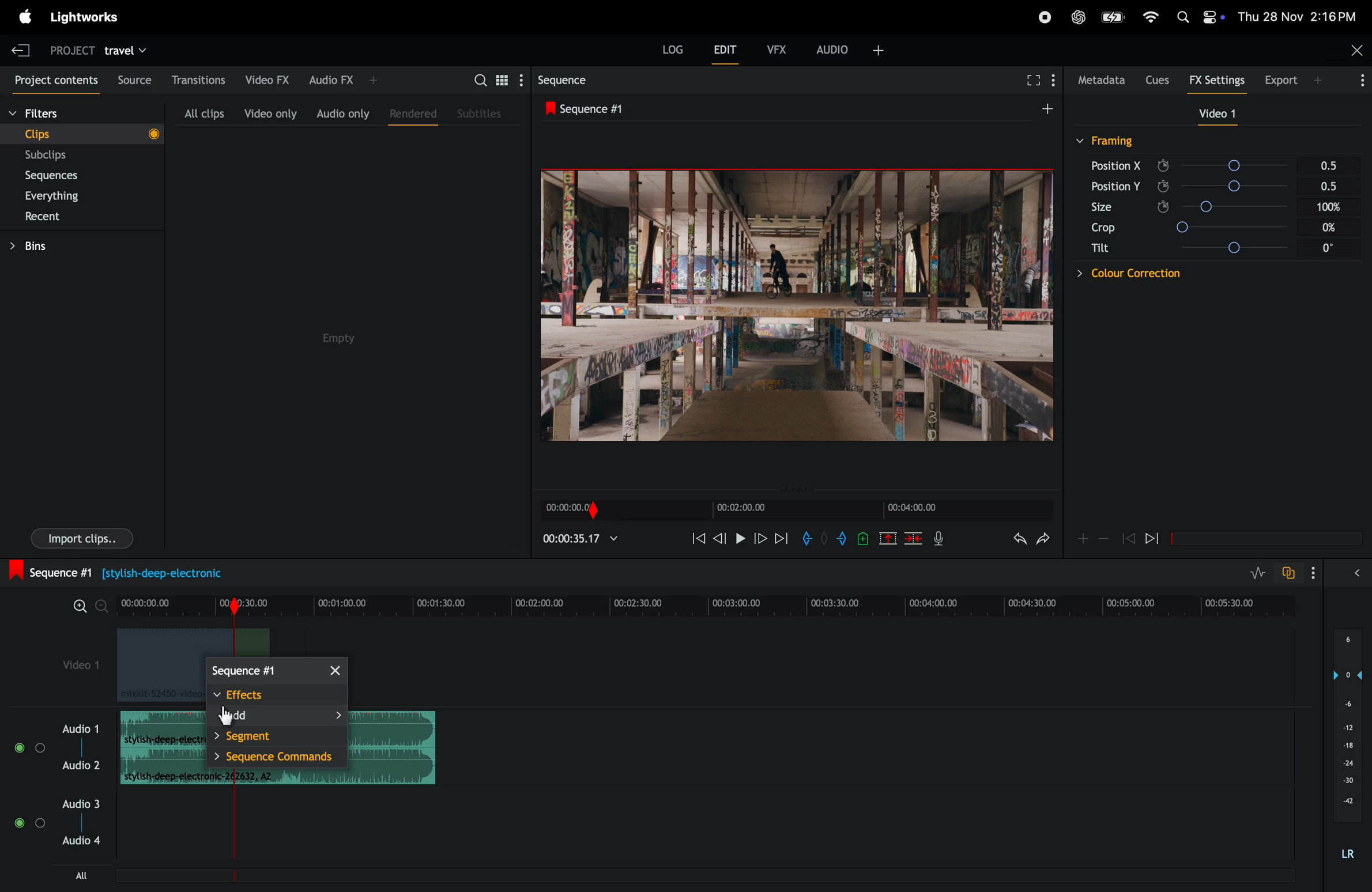  I want to click on seqment, so click(273, 737).